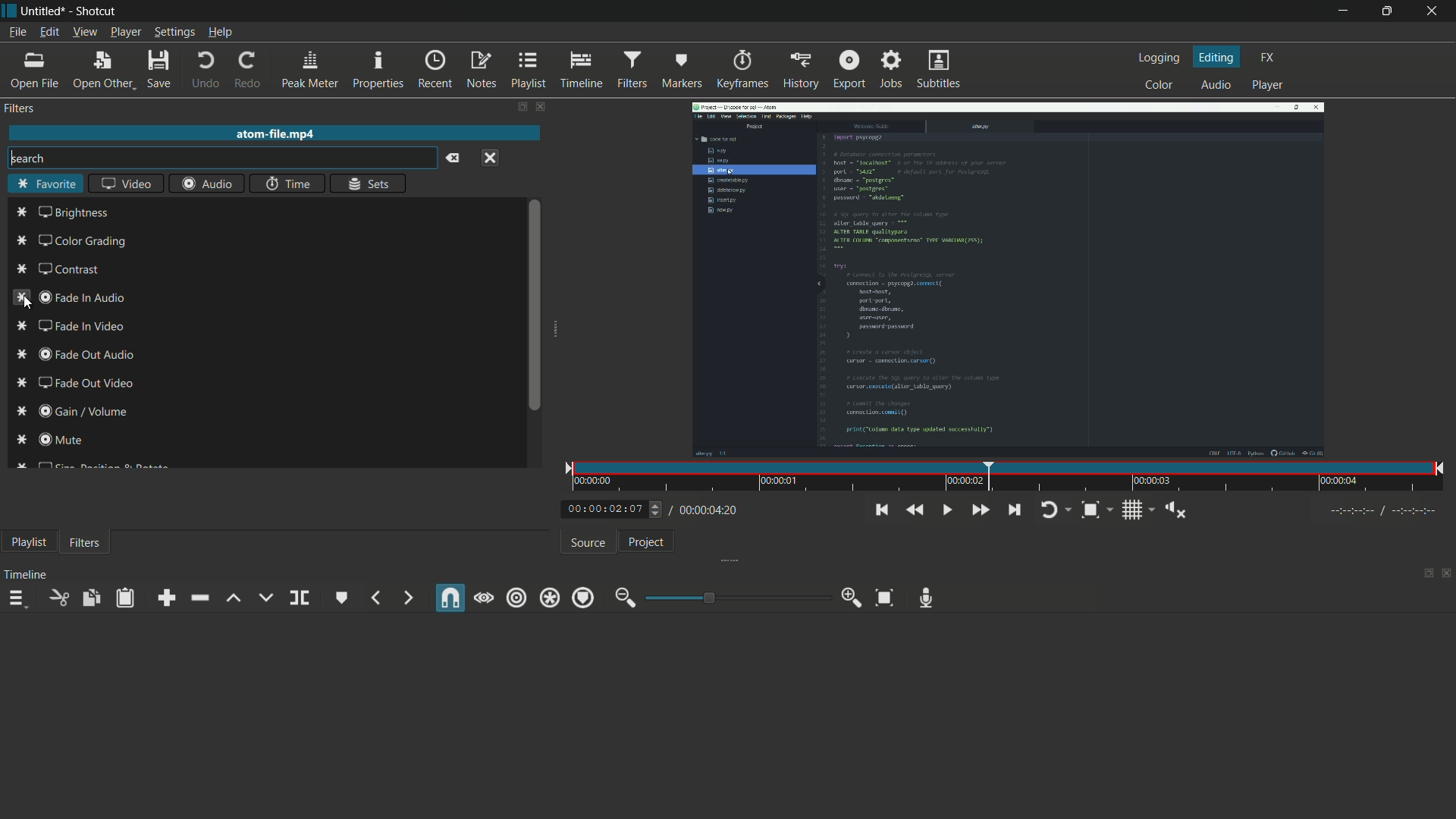  Describe the element at coordinates (377, 71) in the screenshot. I see `properties` at that location.